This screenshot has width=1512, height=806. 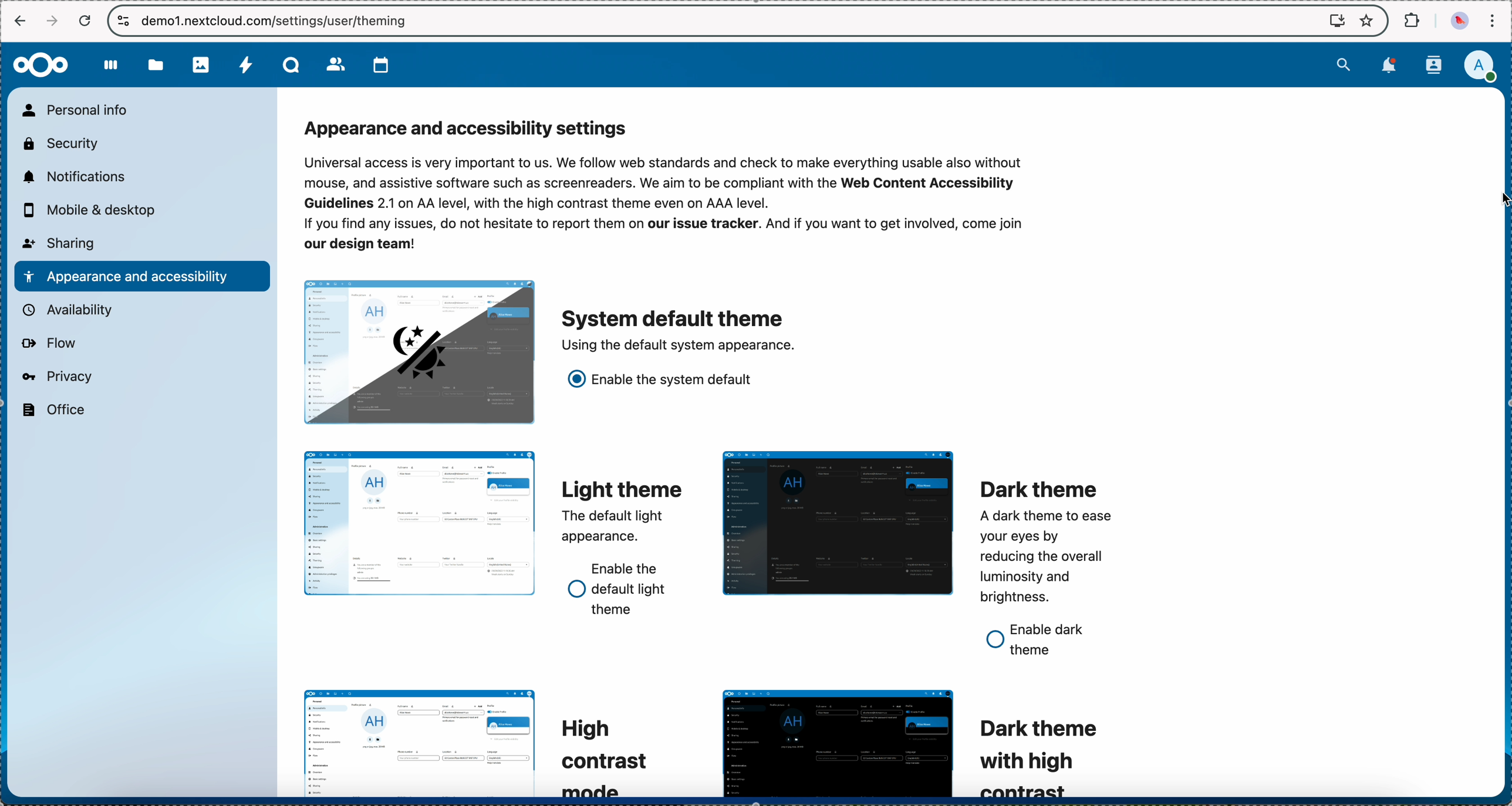 I want to click on dark theme with high contraste, so click(x=1048, y=754).